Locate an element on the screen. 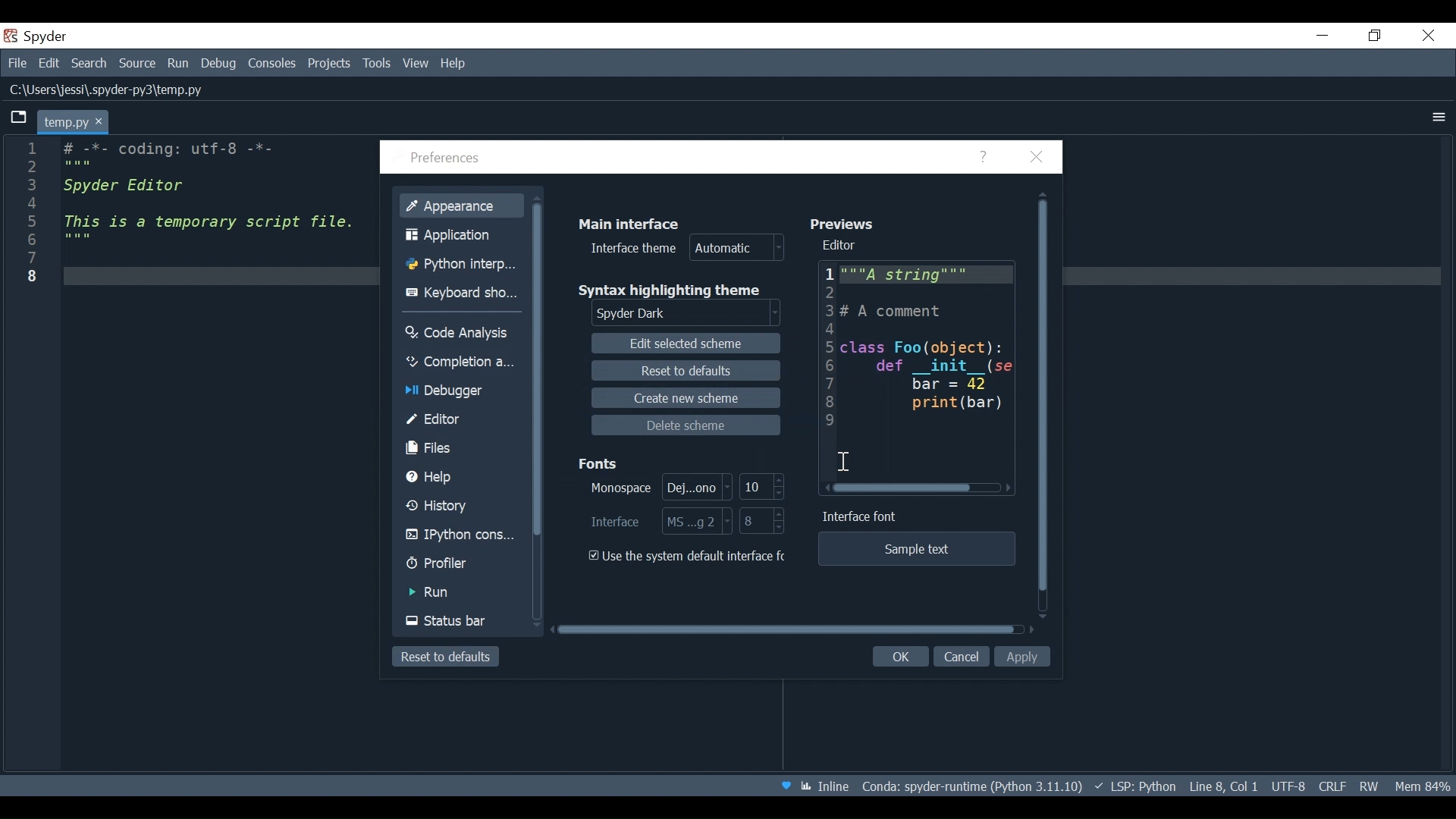  Completion Analysis is located at coordinates (460, 362).